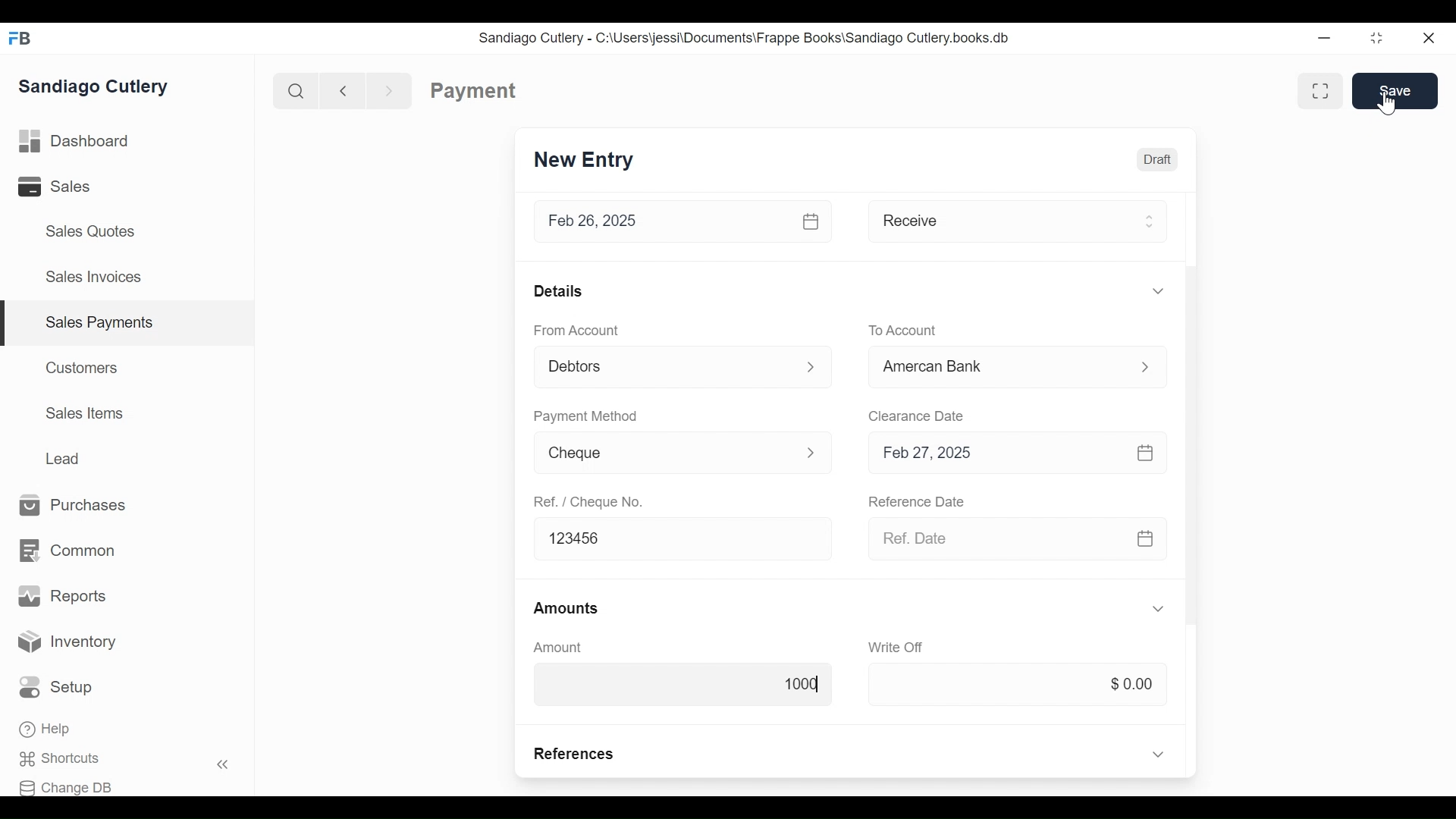 This screenshot has height=819, width=1456. Describe the element at coordinates (1326, 88) in the screenshot. I see `Toggle form and full width ` at that location.